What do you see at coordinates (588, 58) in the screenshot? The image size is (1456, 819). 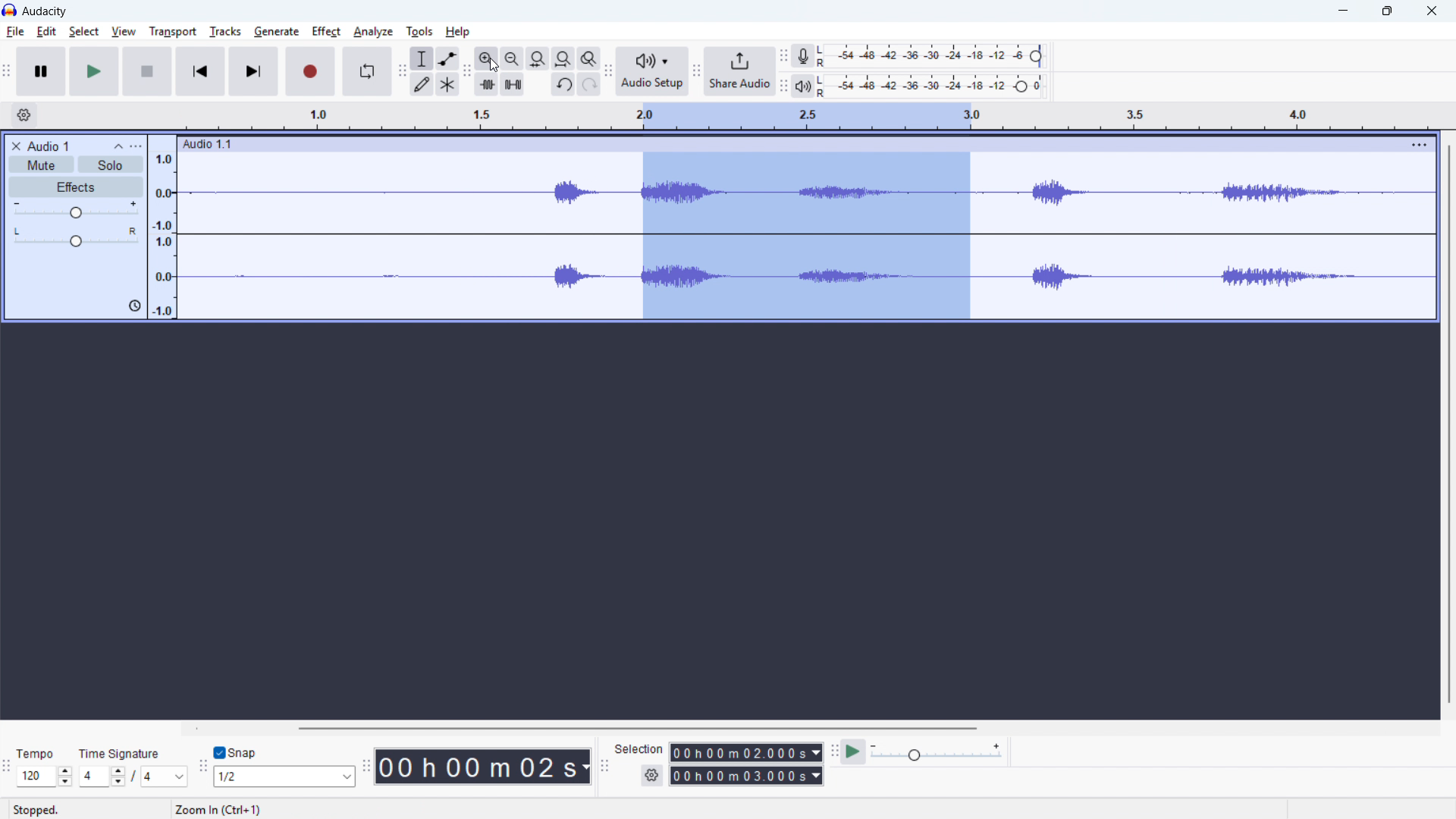 I see `Toggle zoom` at bounding box center [588, 58].